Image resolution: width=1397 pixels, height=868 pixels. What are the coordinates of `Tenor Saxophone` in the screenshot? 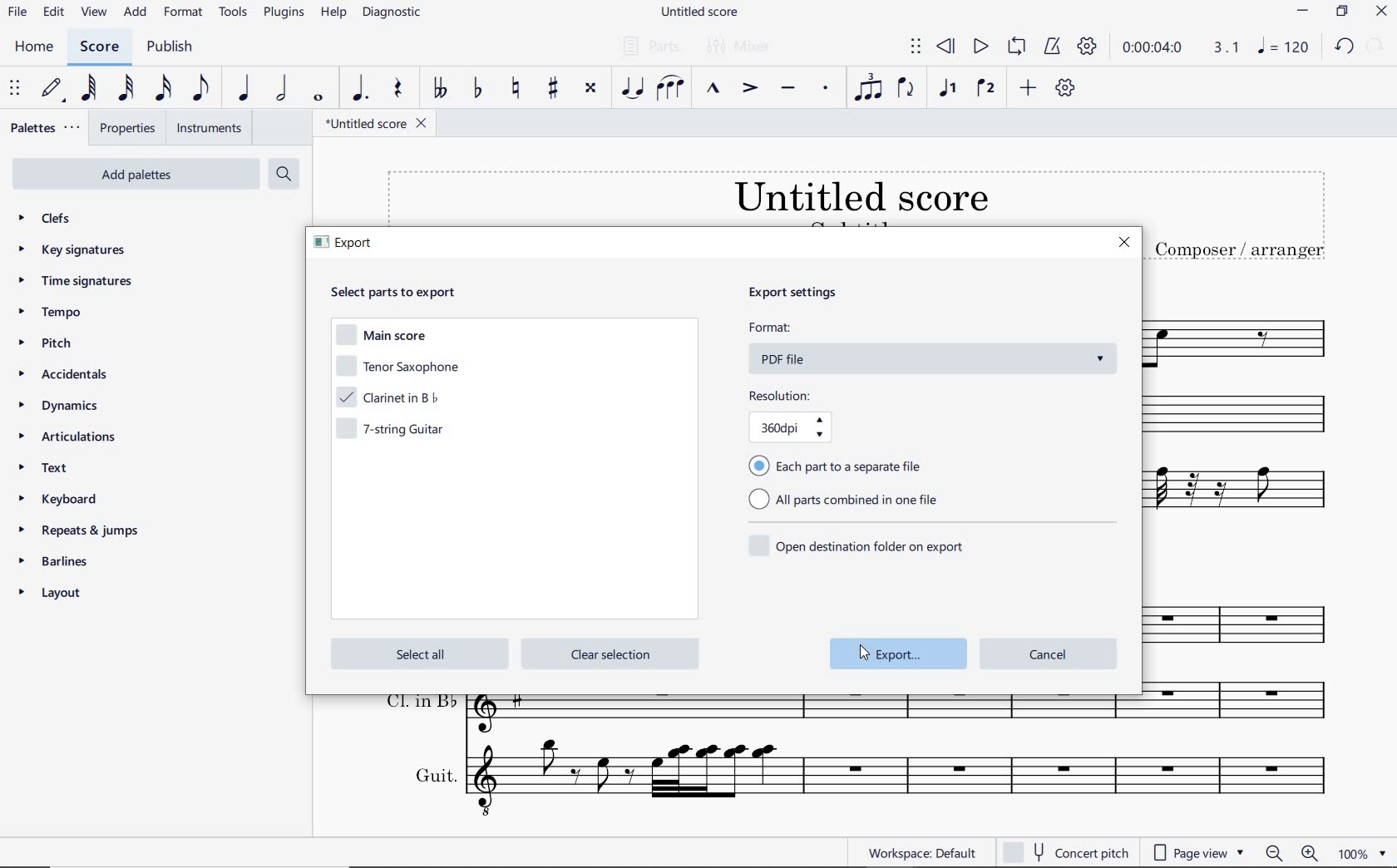 It's located at (1244, 334).